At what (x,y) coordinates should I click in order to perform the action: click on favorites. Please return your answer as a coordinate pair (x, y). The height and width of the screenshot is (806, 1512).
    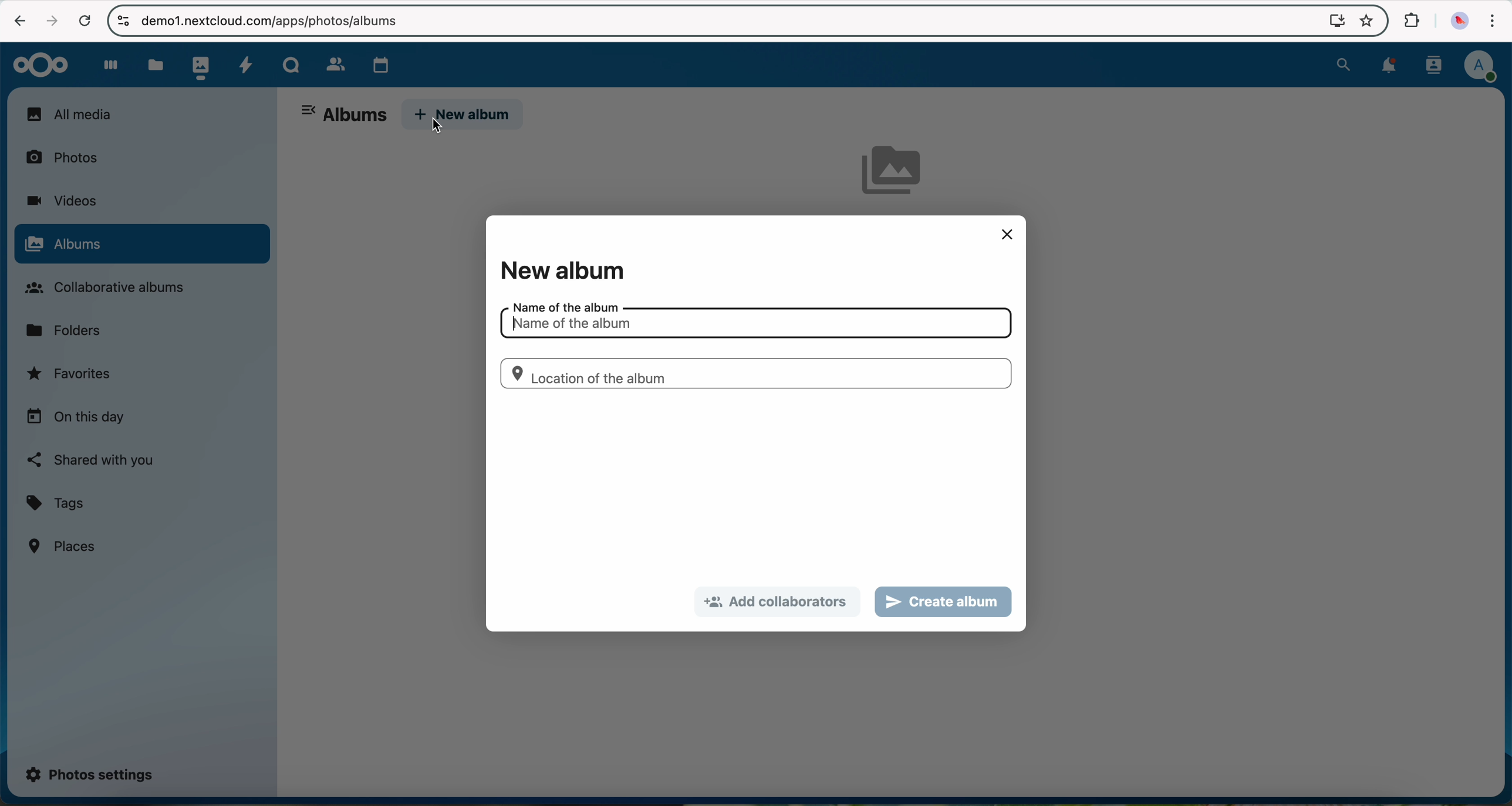
    Looking at the image, I should click on (71, 377).